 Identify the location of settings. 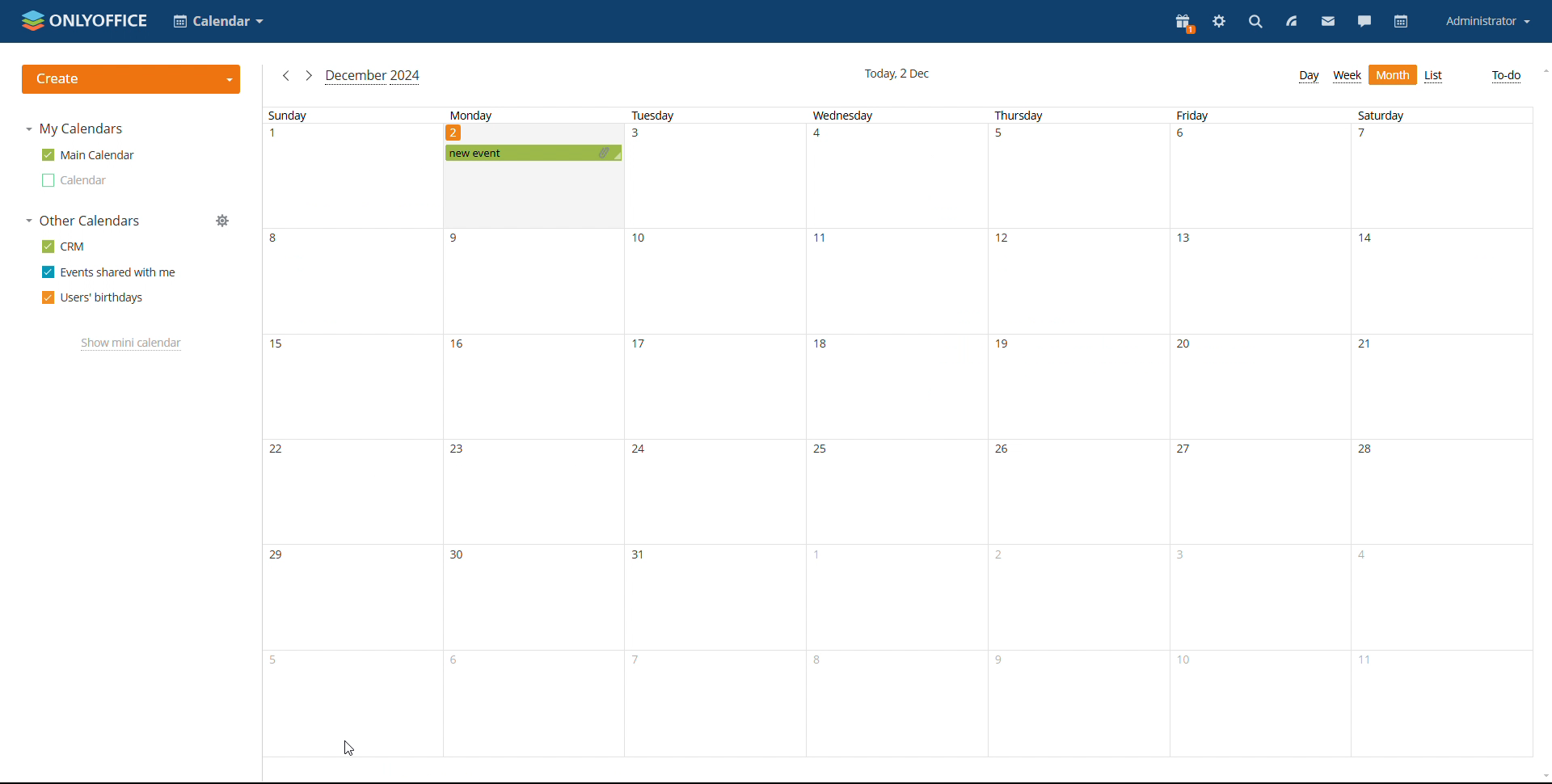
(1221, 23).